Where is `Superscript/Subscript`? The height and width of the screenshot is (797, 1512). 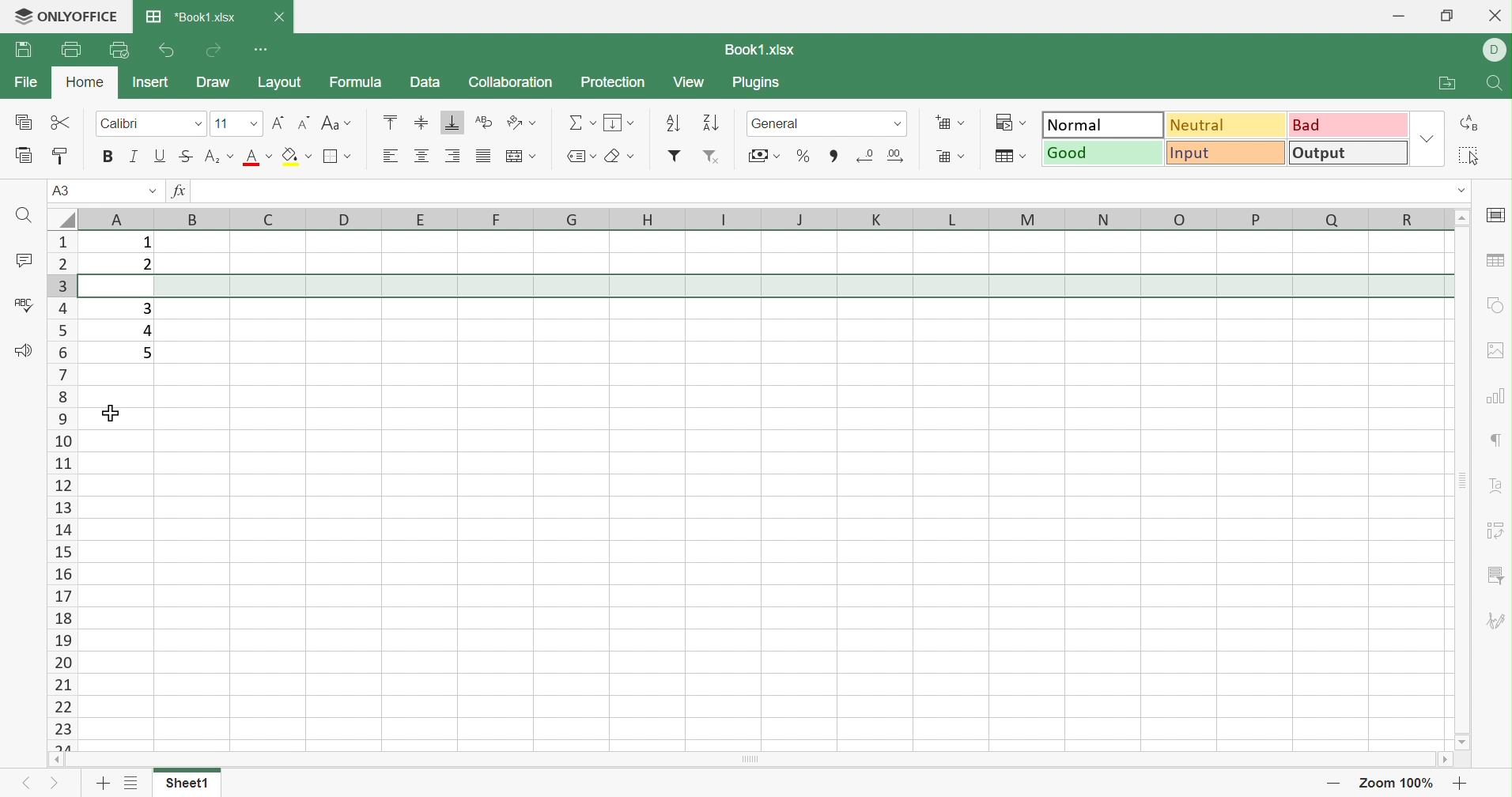 Superscript/Subscript is located at coordinates (211, 157).